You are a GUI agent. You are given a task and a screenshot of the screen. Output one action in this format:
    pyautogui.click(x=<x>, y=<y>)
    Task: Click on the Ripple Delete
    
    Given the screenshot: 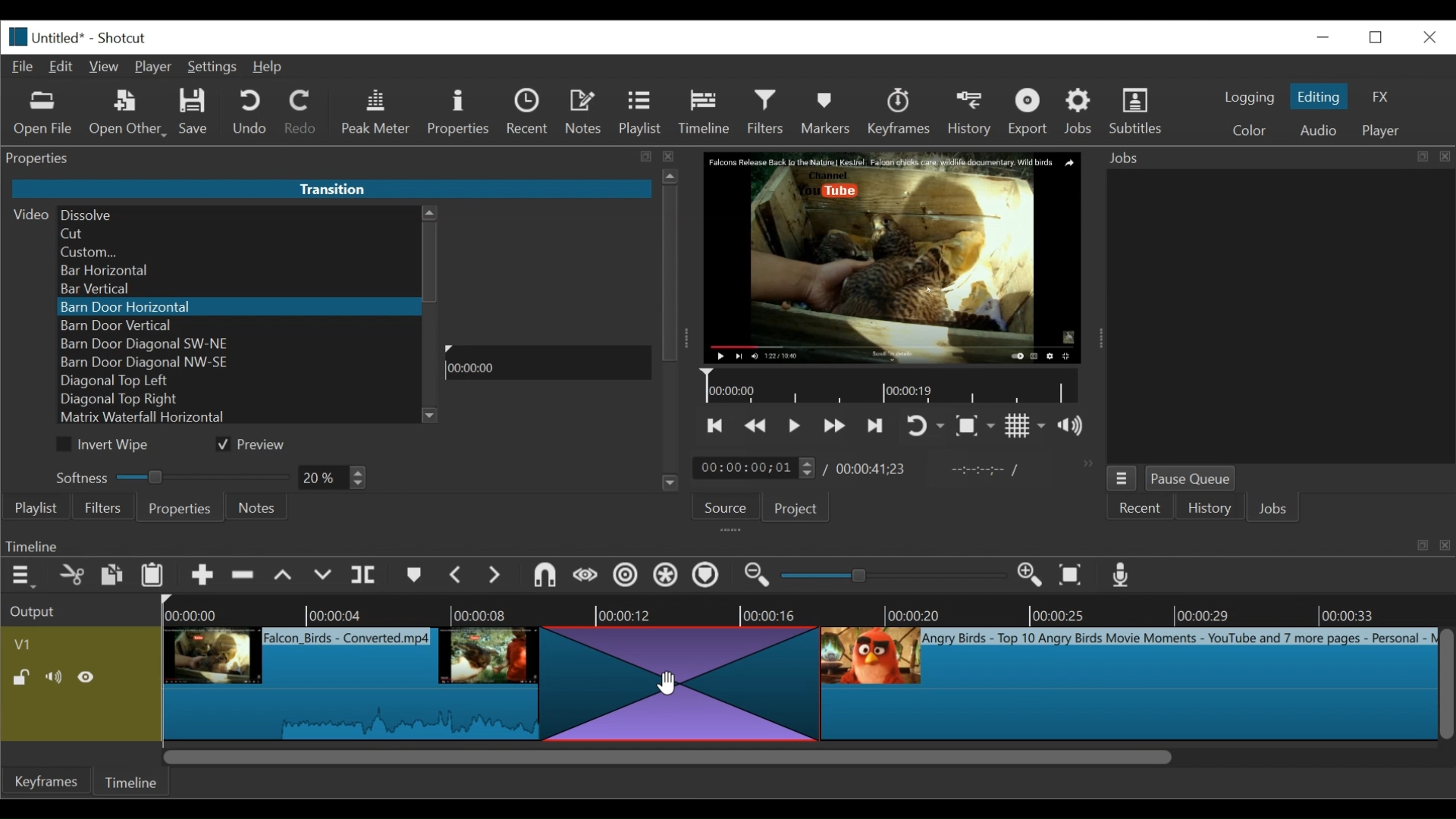 What is the action you would take?
    pyautogui.click(x=243, y=576)
    